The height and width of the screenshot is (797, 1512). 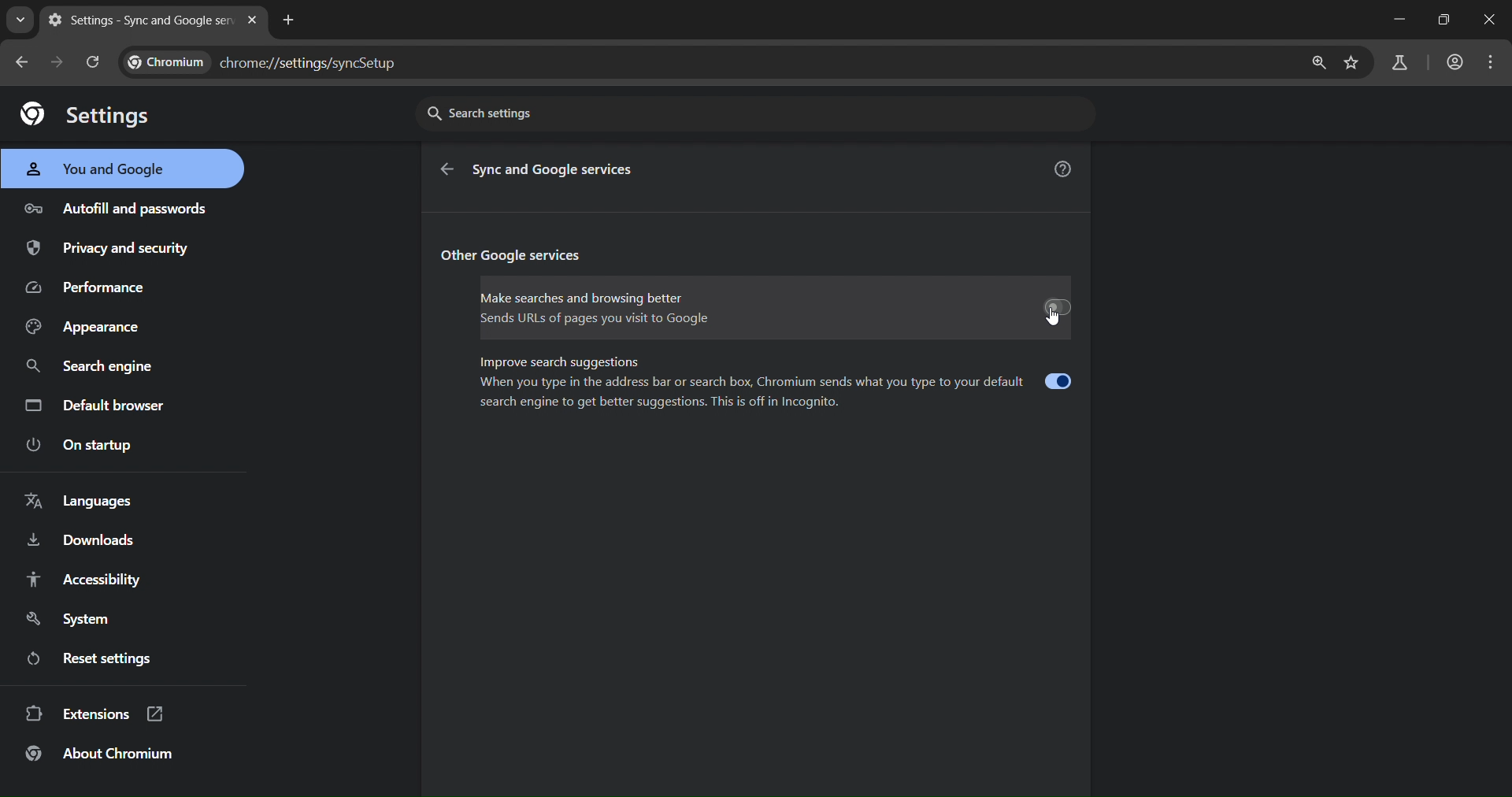 I want to click on close tab, so click(x=255, y=22).